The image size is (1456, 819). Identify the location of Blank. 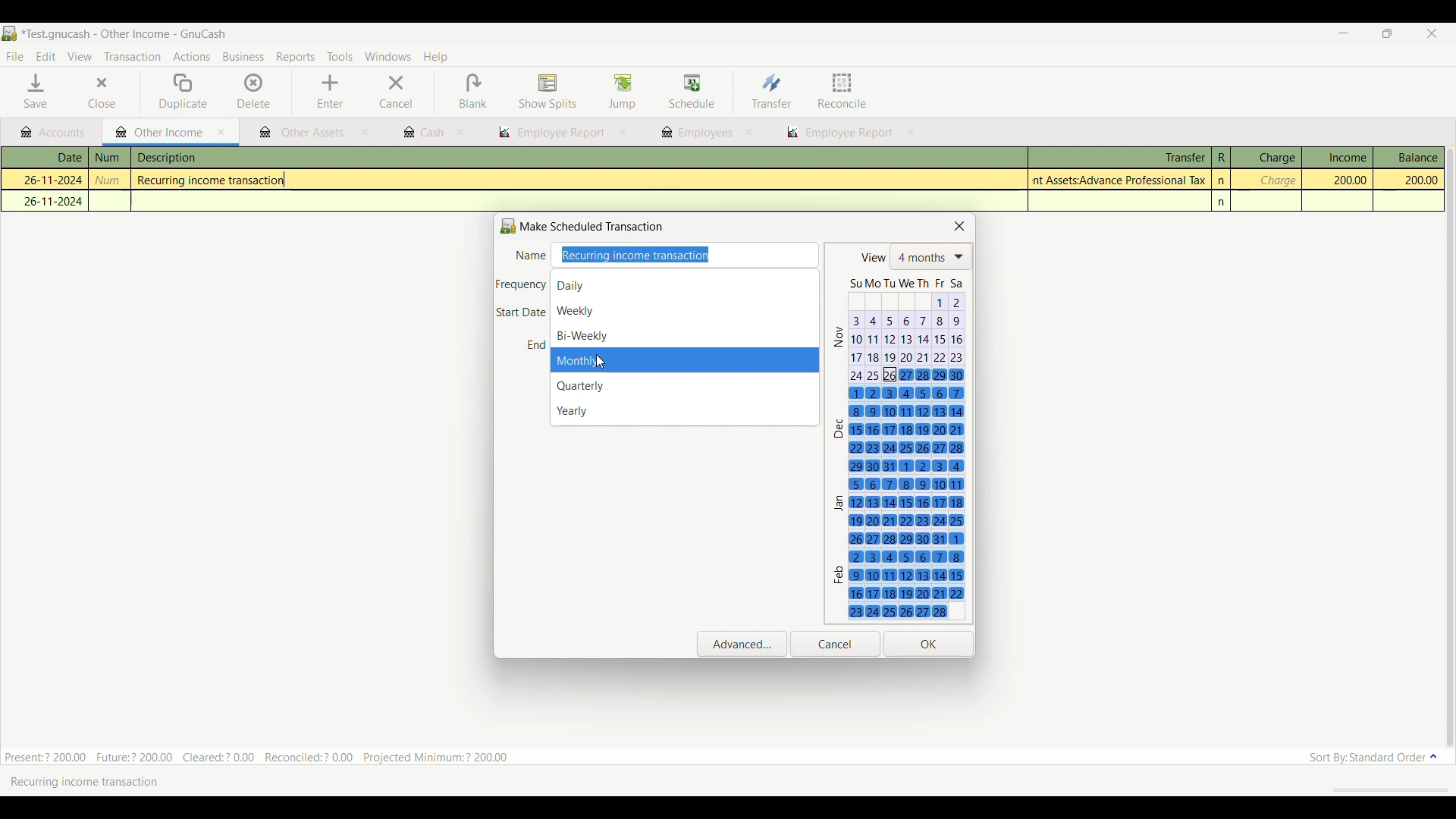
(472, 92).